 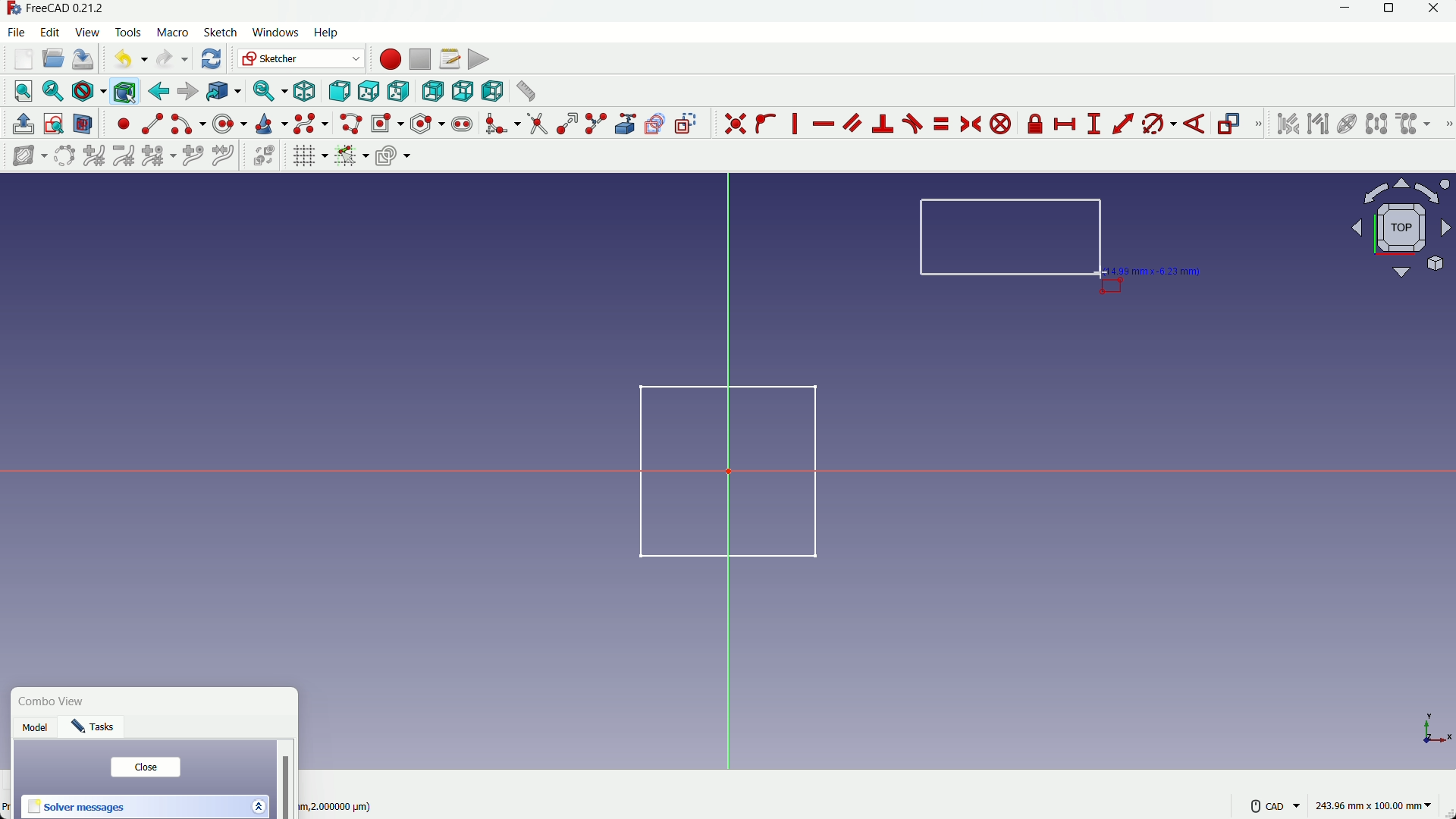 I want to click on toggle snap, so click(x=351, y=155).